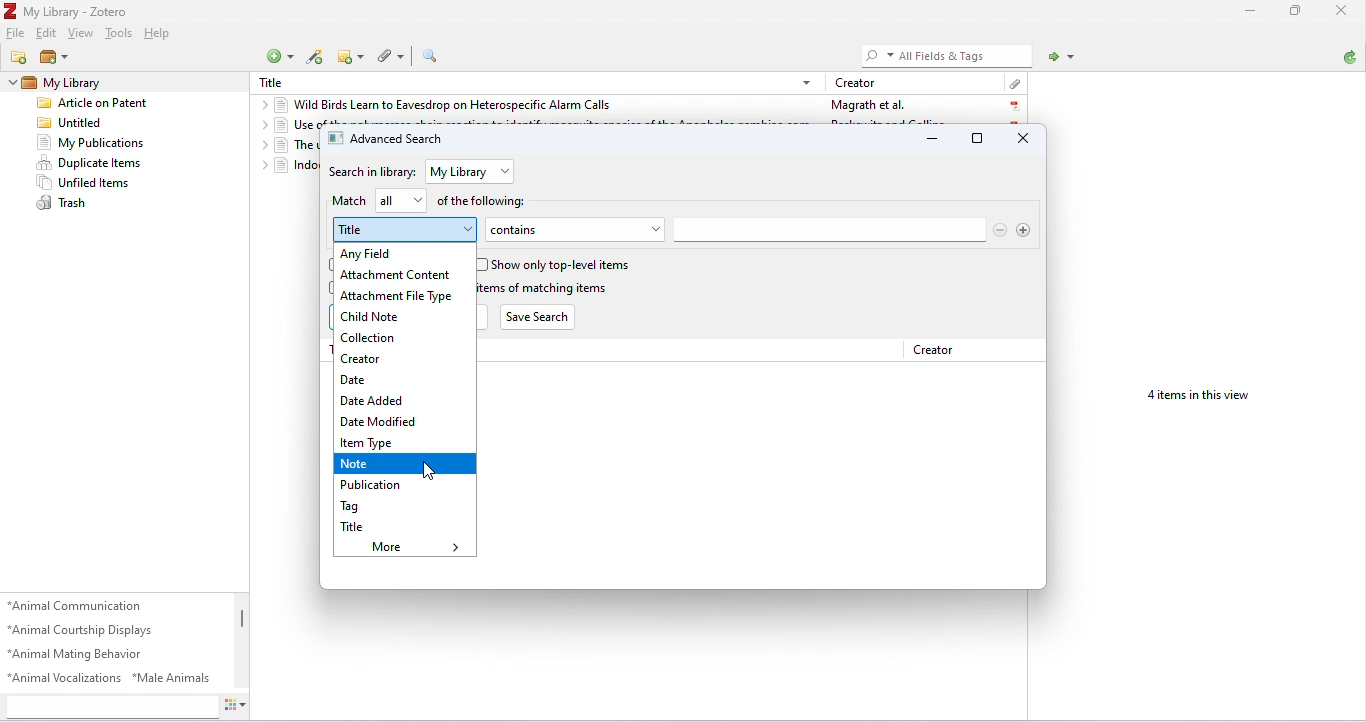 This screenshot has height=722, width=1366. Describe the element at coordinates (122, 34) in the screenshot. I see `tools` at that location.